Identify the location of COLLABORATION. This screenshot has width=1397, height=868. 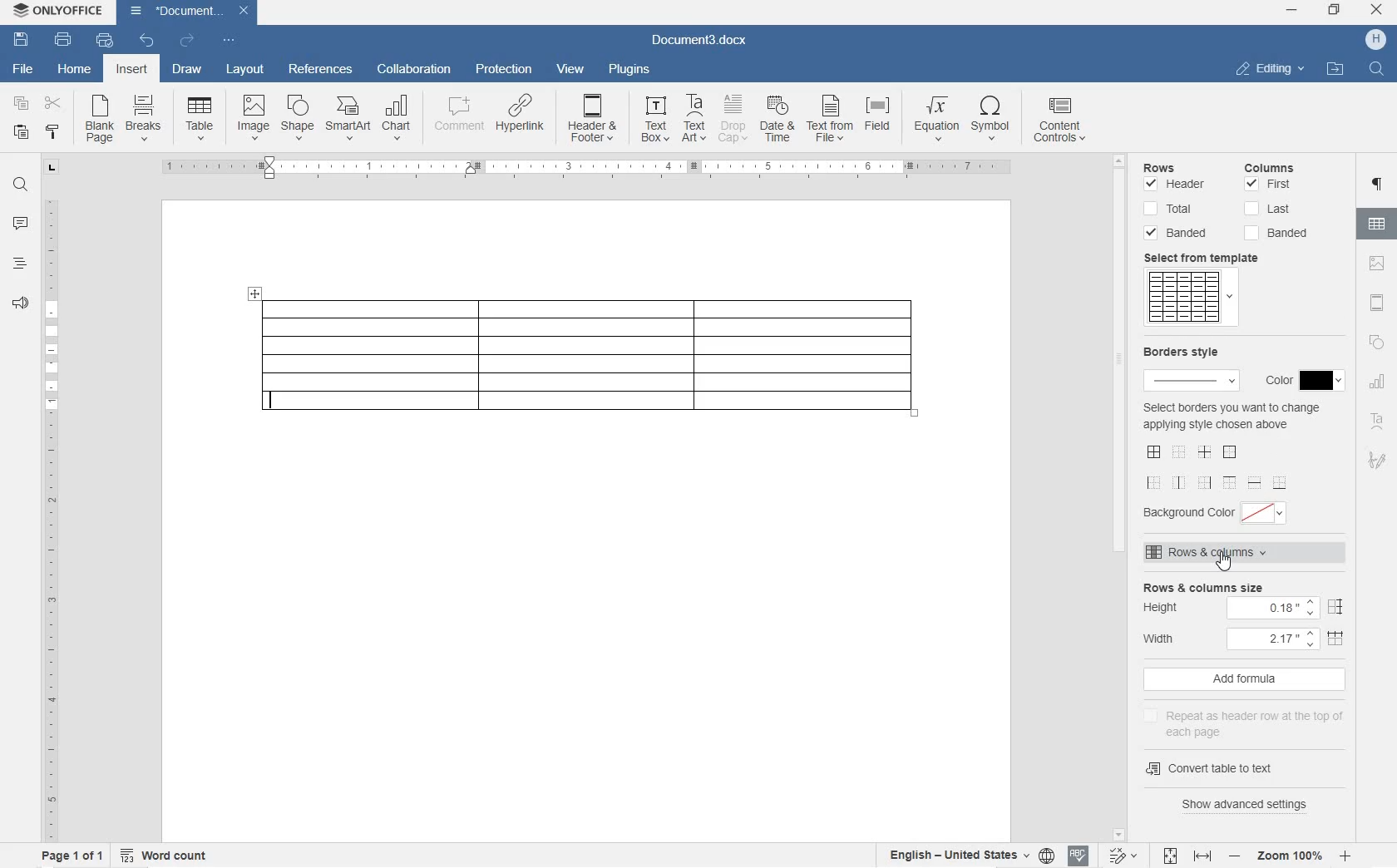
(415, 70).